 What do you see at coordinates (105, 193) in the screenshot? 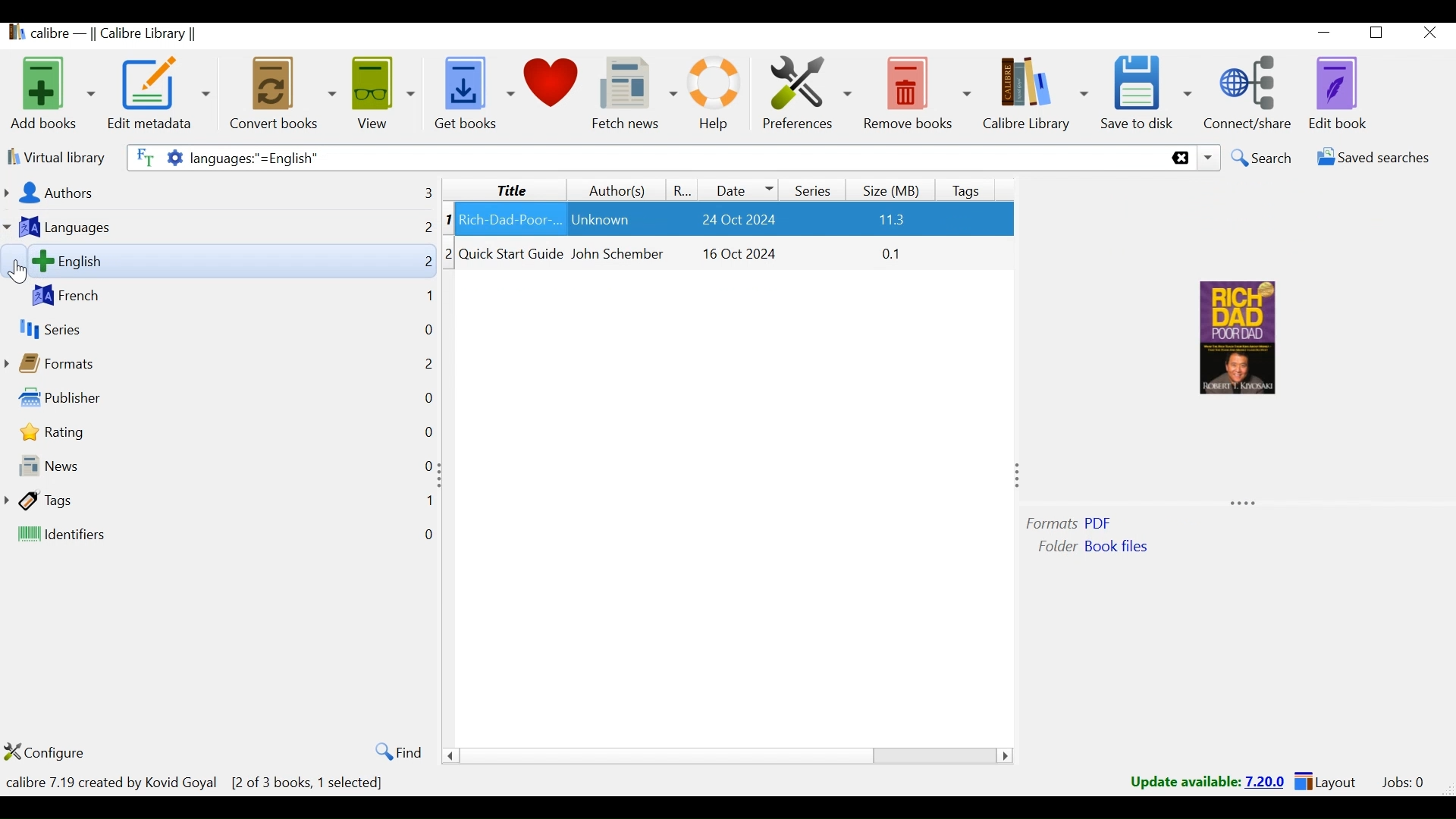
I see `Authors` at bounding box center [105, 193].